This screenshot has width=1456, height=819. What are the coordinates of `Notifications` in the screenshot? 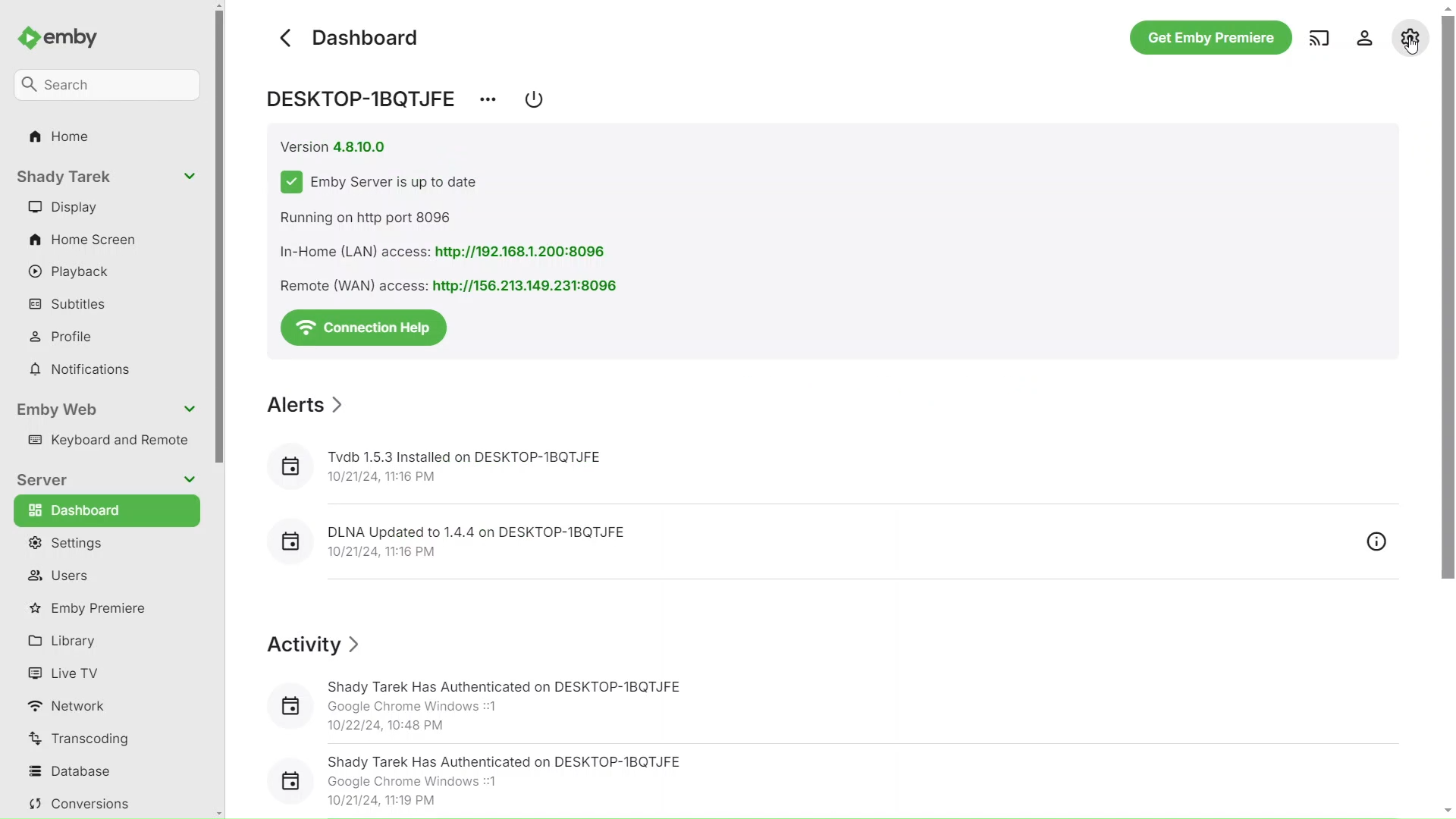 It's located at (78, 371).